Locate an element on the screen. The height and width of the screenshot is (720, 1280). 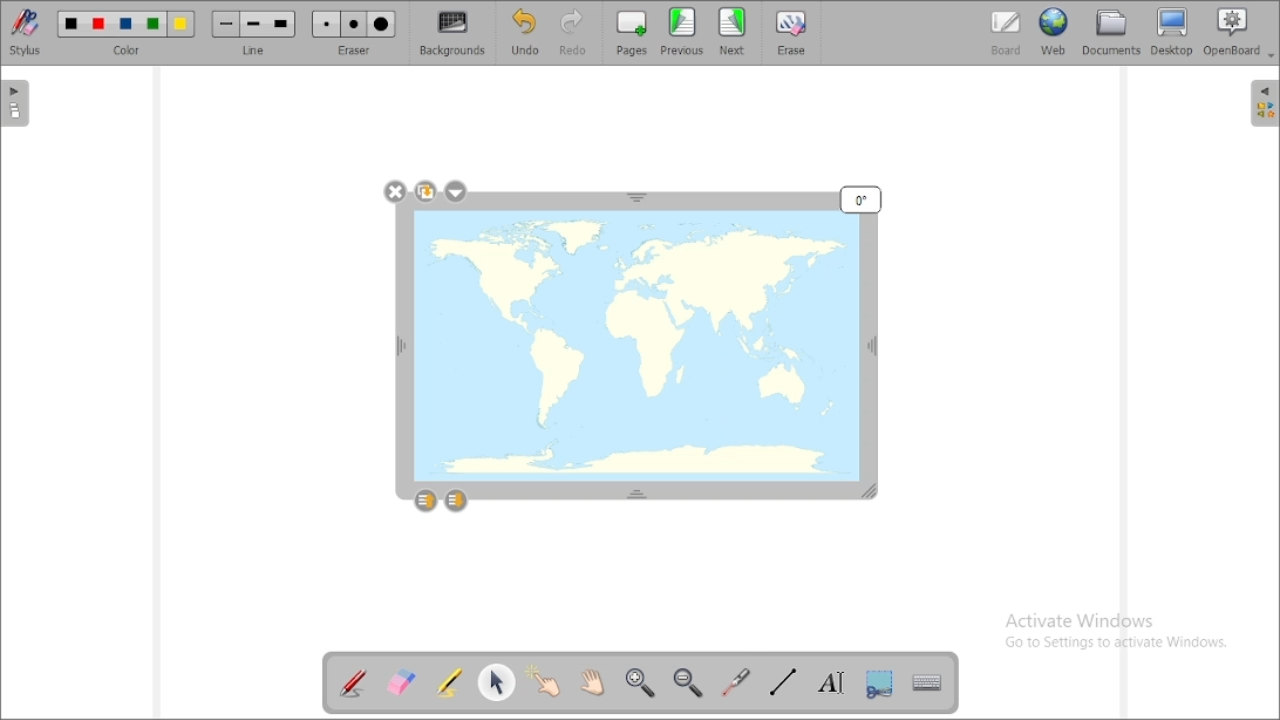
virtual laser pointer is located at coordinates (737, 683).